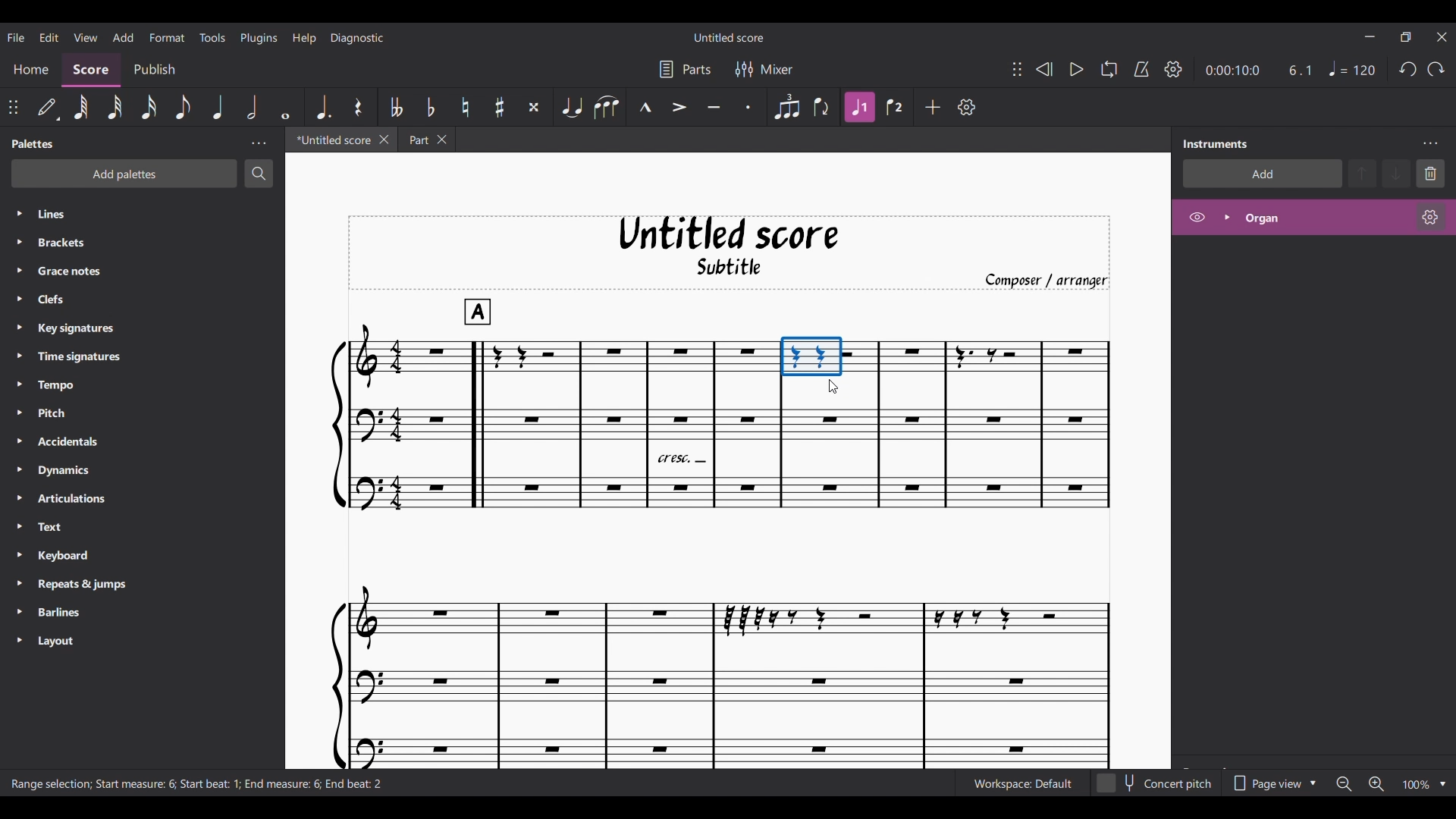  I want to click on Flip direction, so click(821, 108).